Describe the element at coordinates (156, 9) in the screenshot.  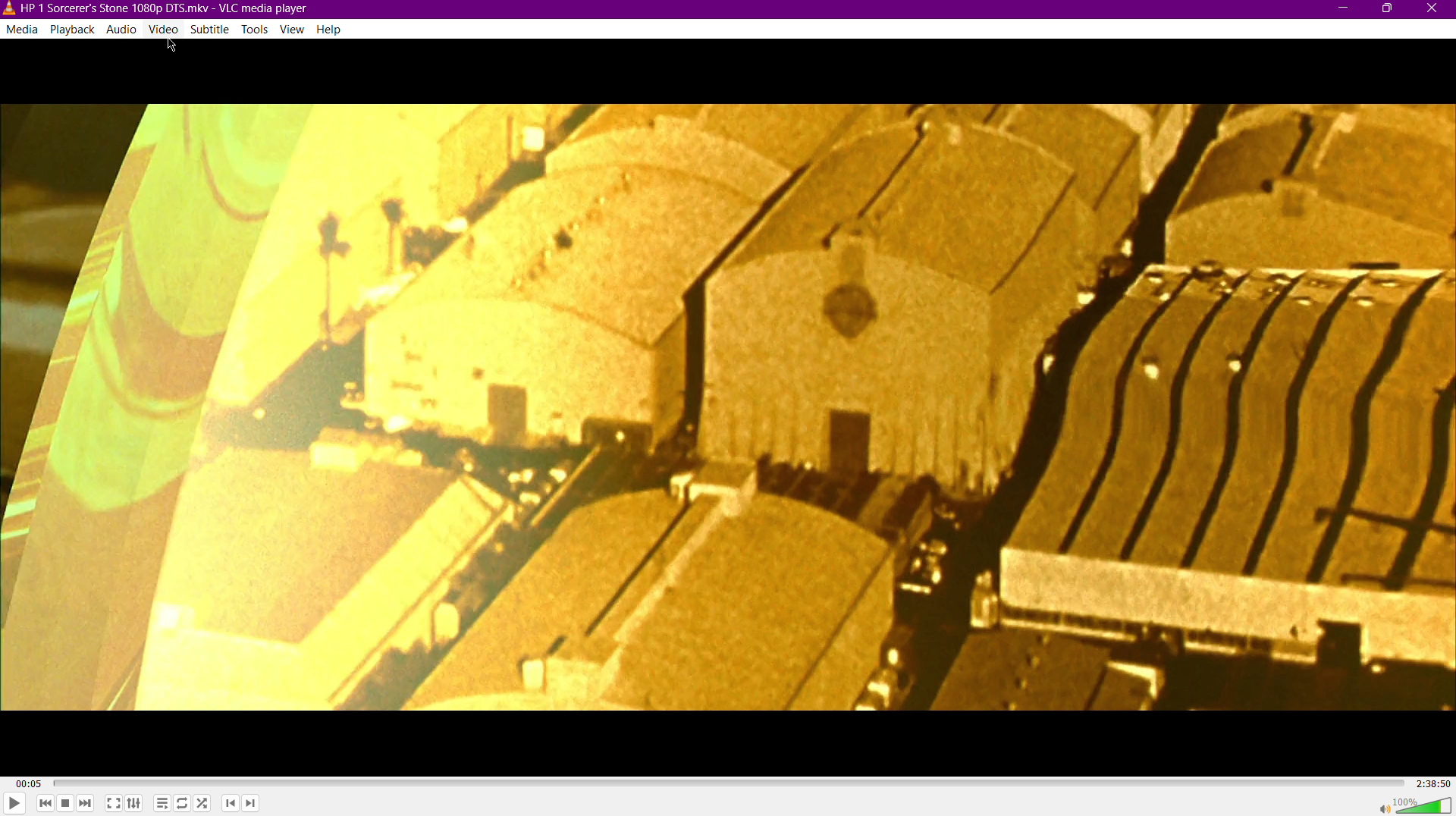
I see `HP | Sorcerer's Stone1080p DTS.mkv-VLC media player` at that location.